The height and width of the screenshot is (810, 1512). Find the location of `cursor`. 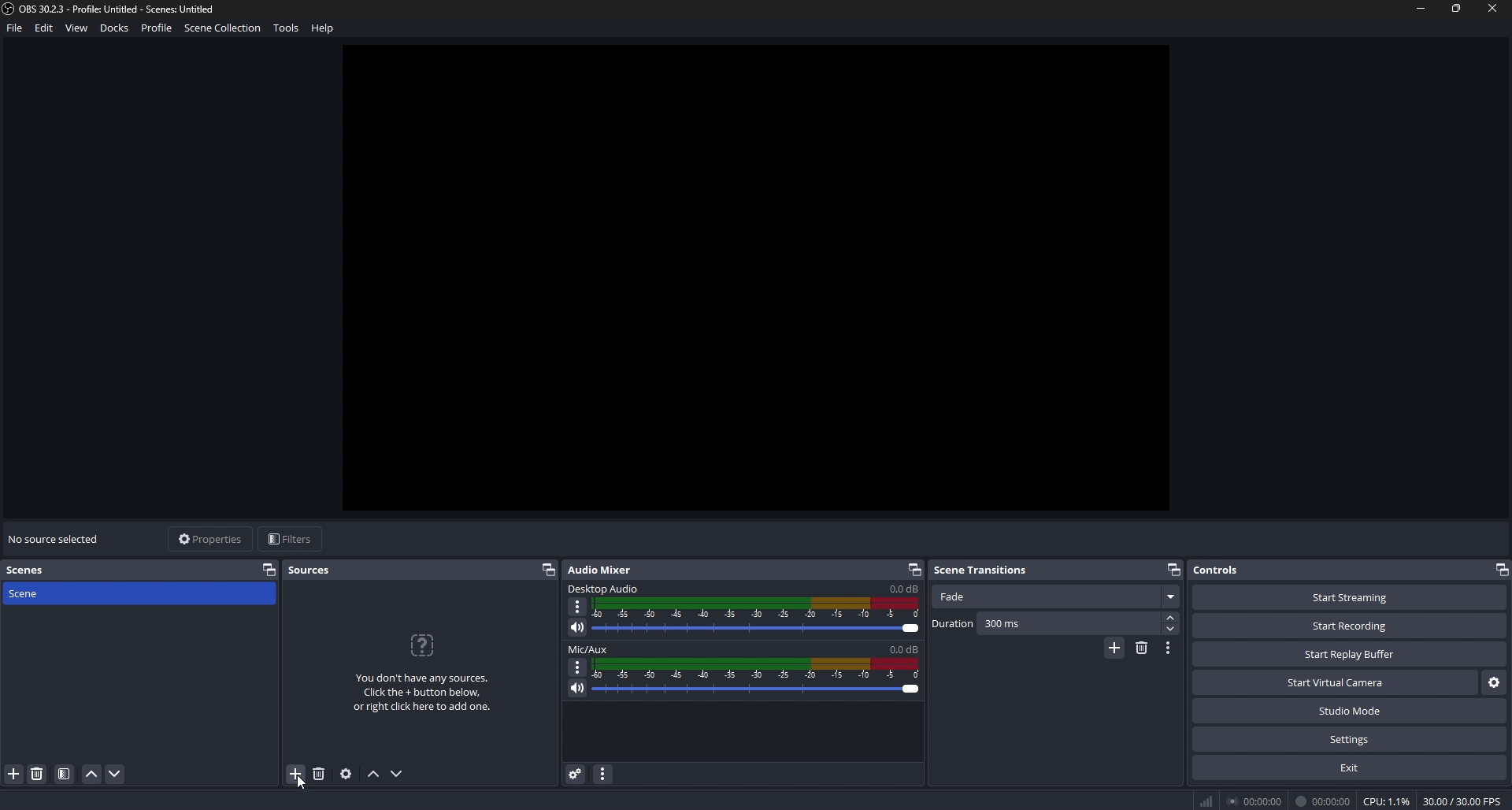

cursor is located at coordinates (305, 788).